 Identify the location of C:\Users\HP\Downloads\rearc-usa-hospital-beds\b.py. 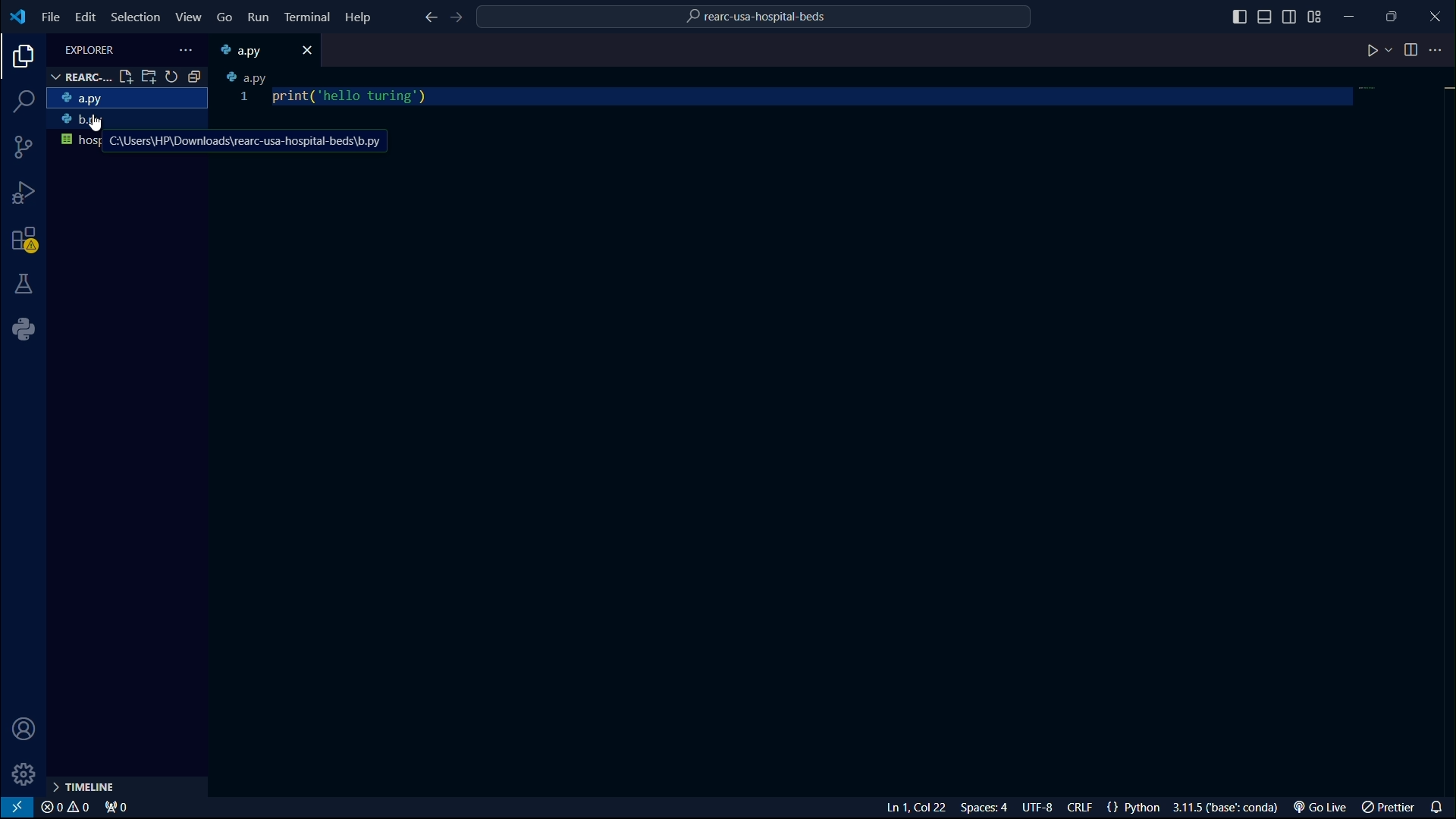
(244, 142).